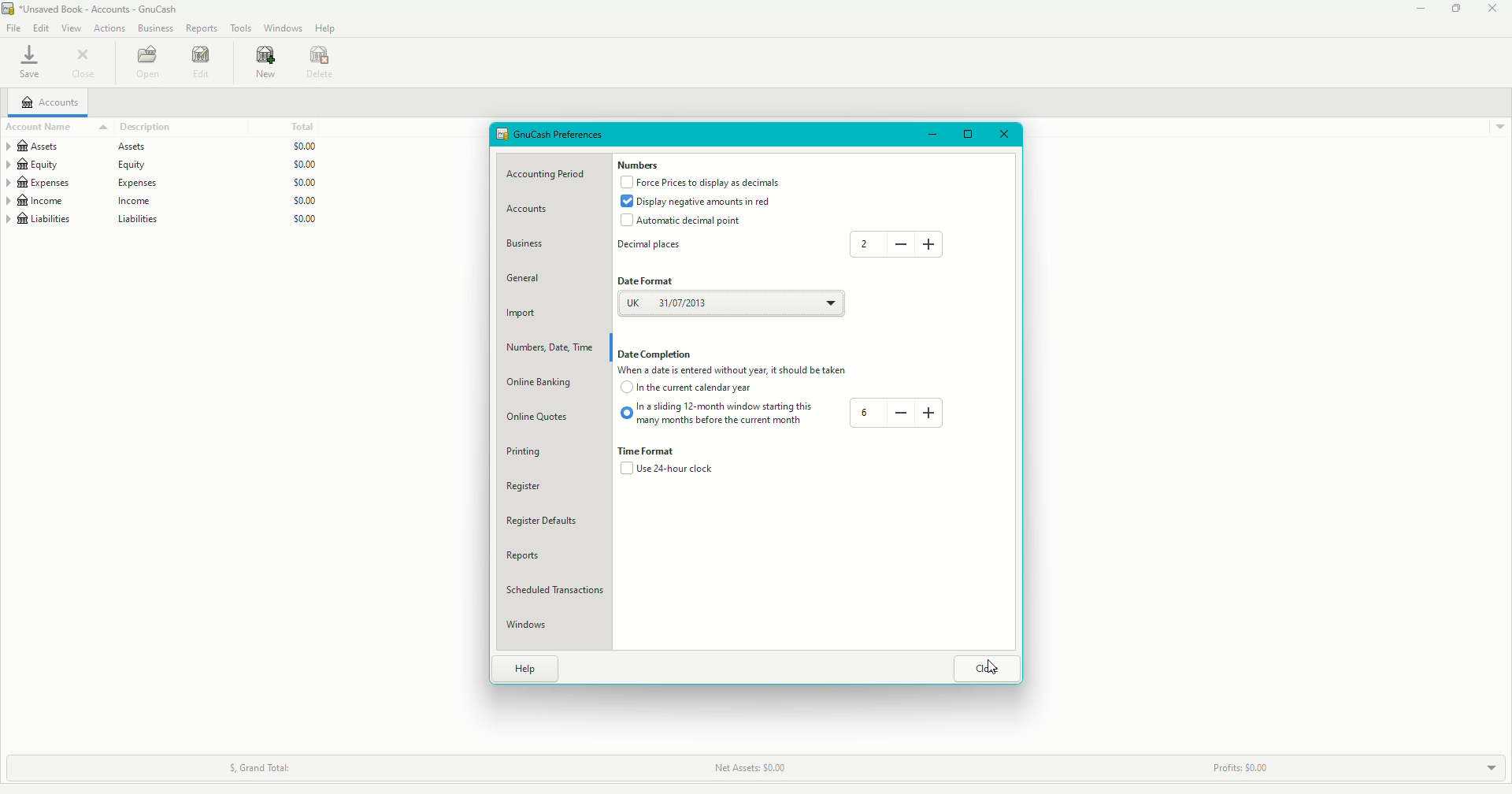  What do you see at coordinates (162, 202) in the screenshot?
I see `Income` at bounding box center [162, 202].